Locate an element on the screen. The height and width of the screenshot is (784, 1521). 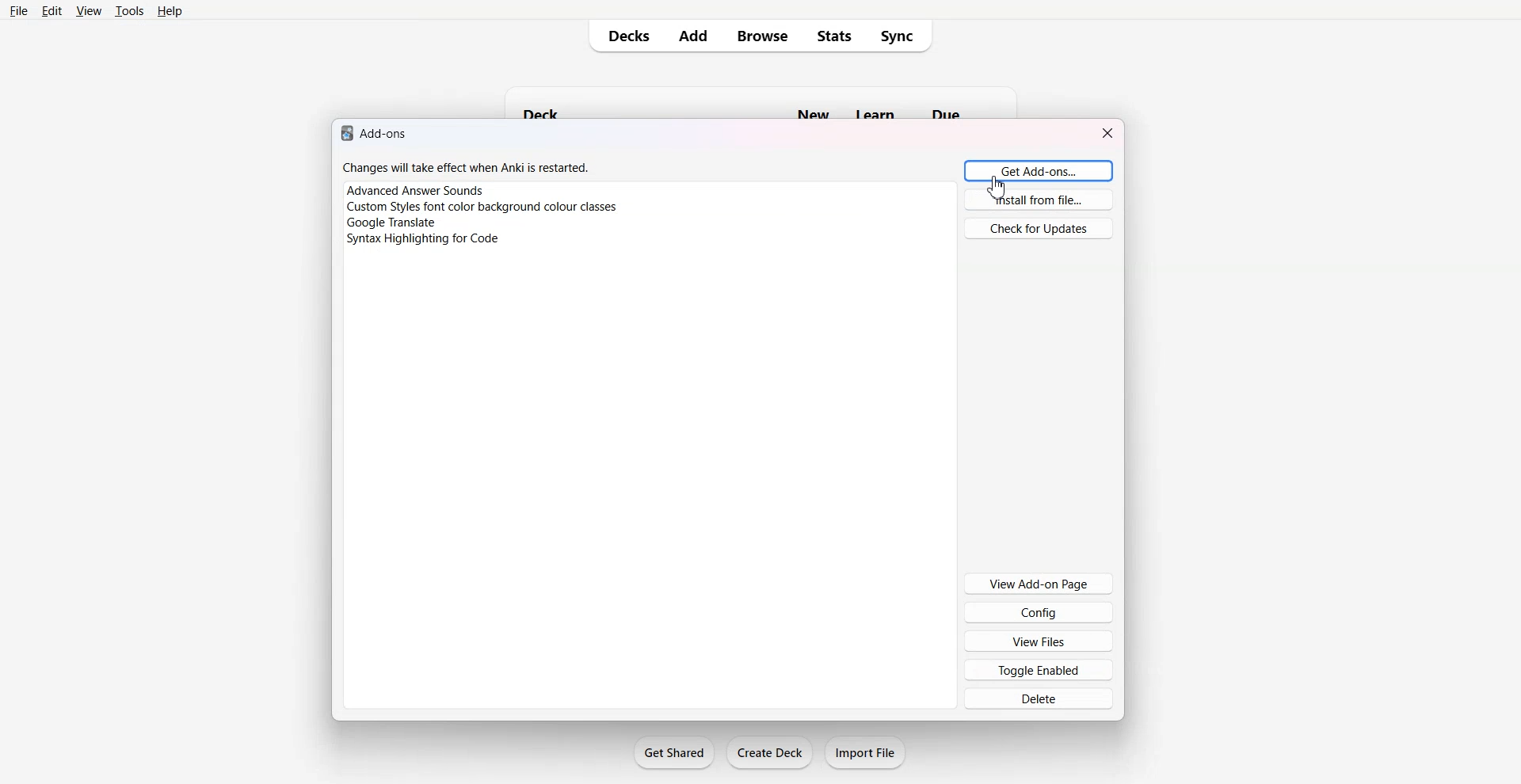
Sync is located at coordinates (905, 36).